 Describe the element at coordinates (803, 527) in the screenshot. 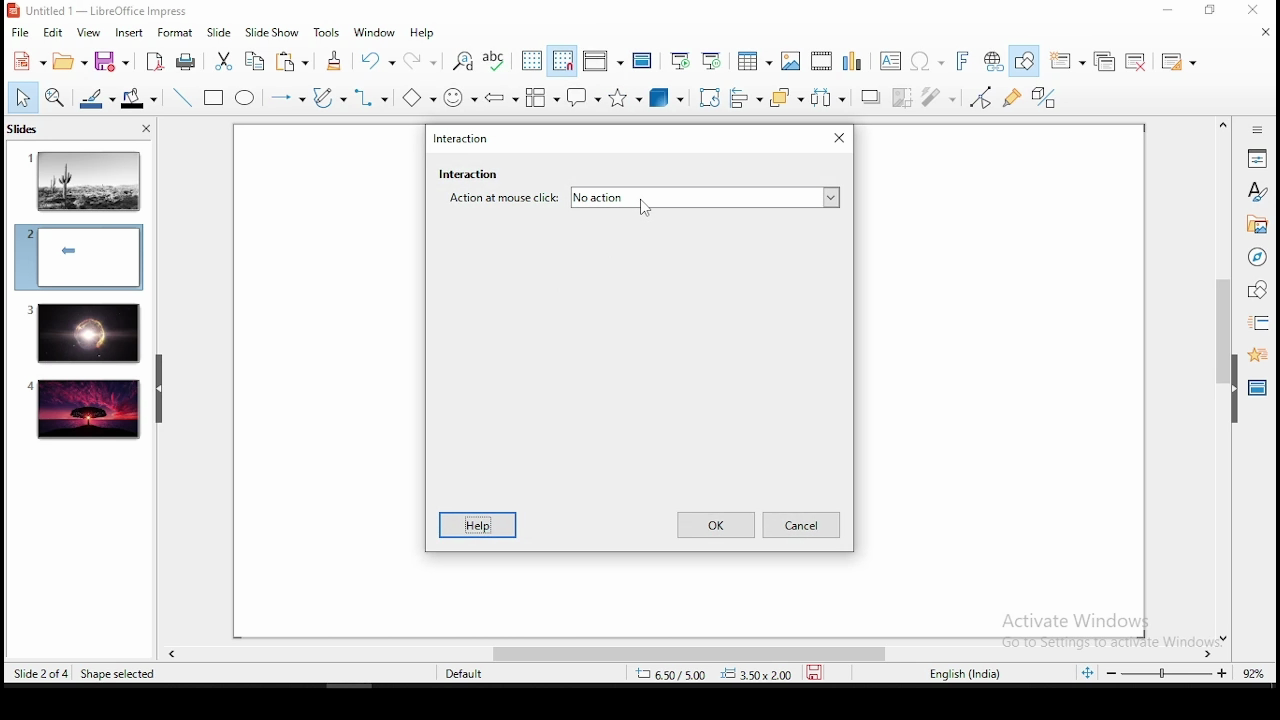

I see `Cancel` at that location.